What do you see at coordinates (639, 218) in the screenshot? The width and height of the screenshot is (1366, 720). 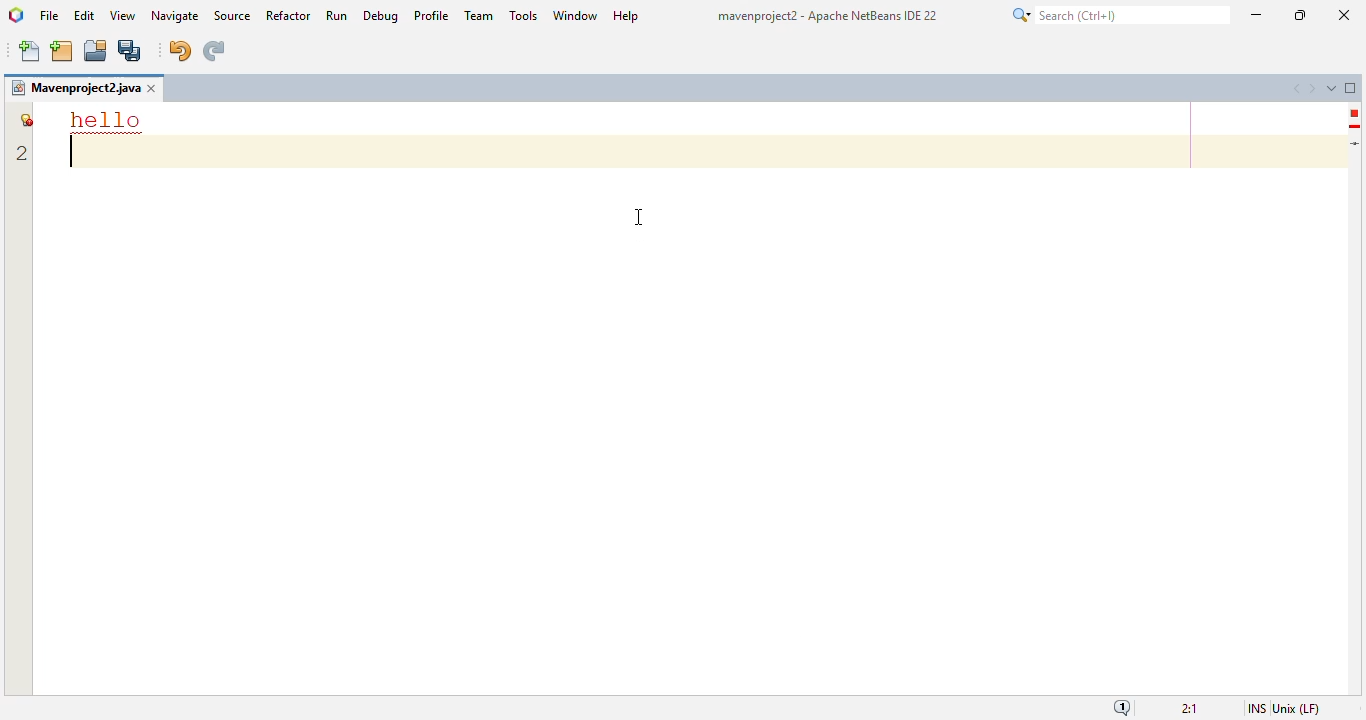 I see `cursor` at bounding box center [639, 218].